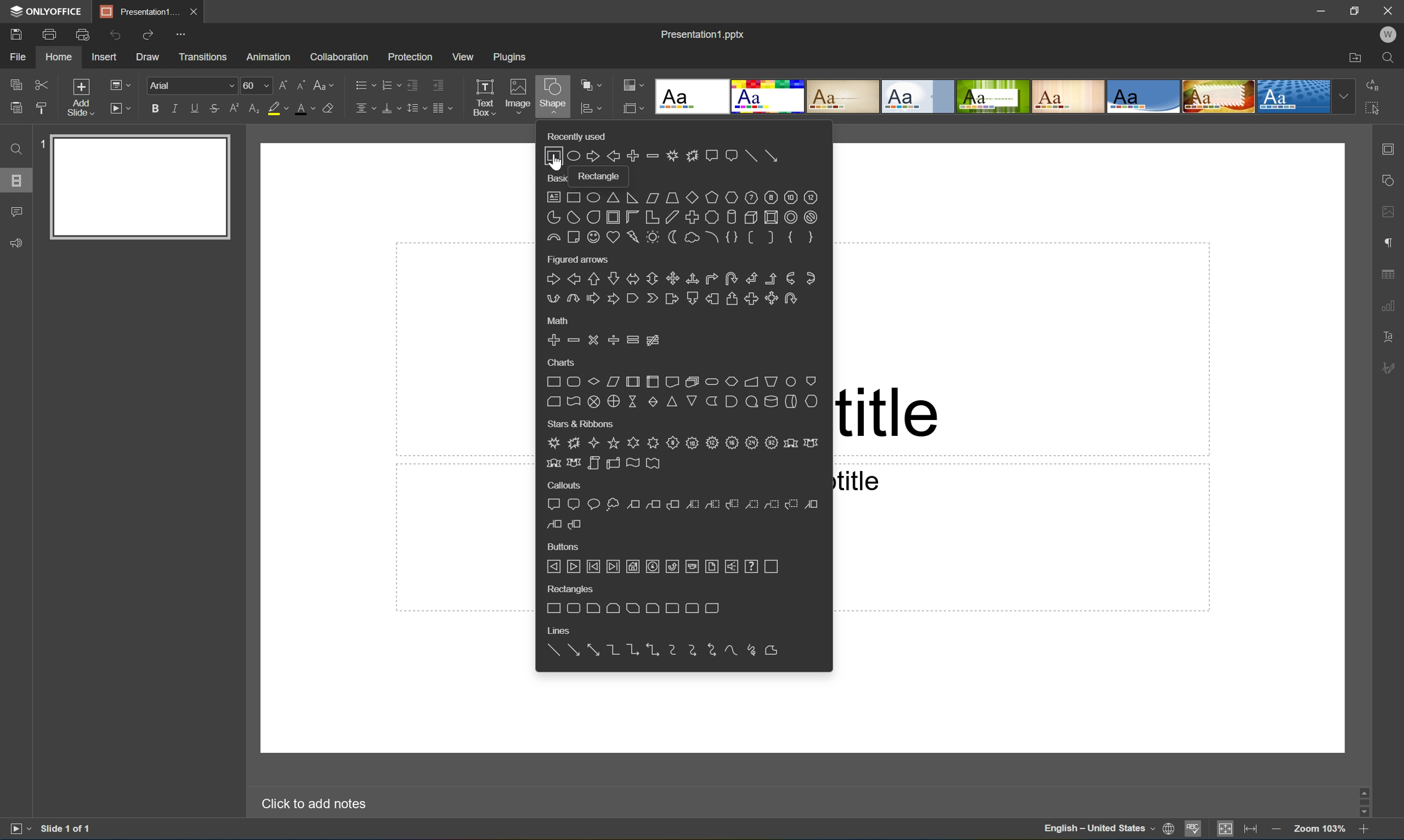 Image resolution: width=1404 pixels, height=840 pixels. I want to click on Numbering, so click(387, 84).